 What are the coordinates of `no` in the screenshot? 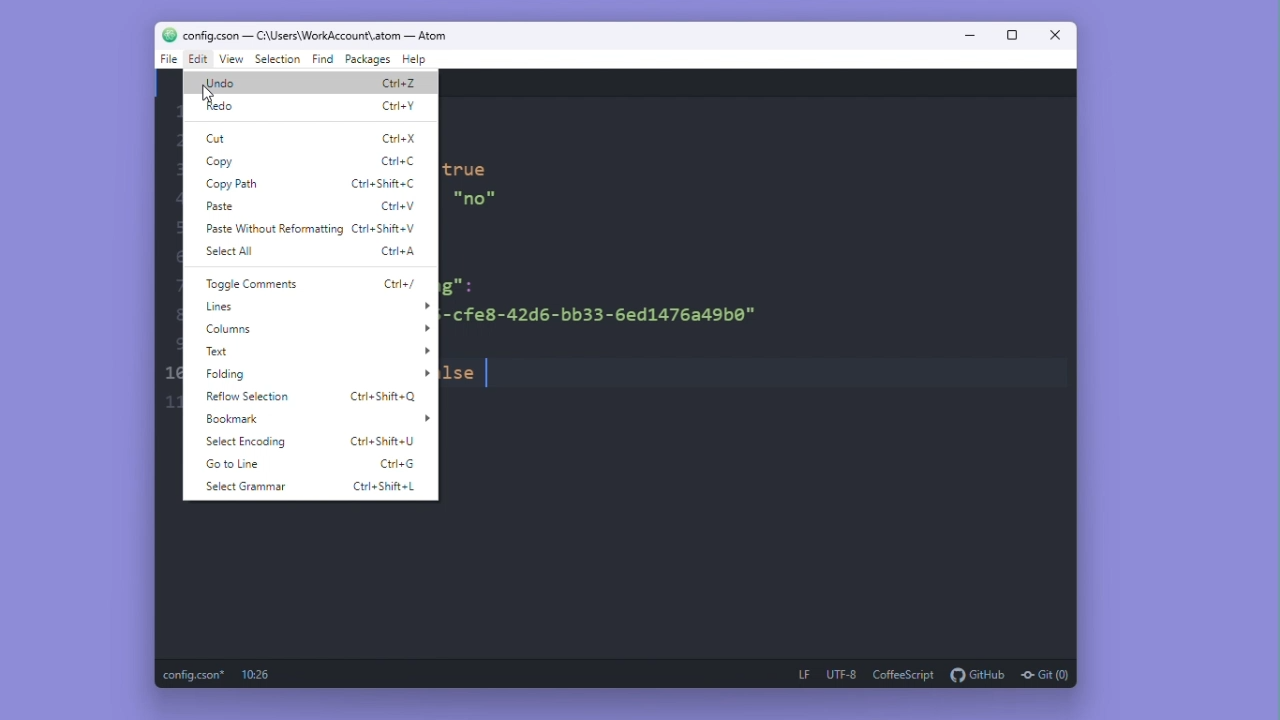 It's located at (473, 199).